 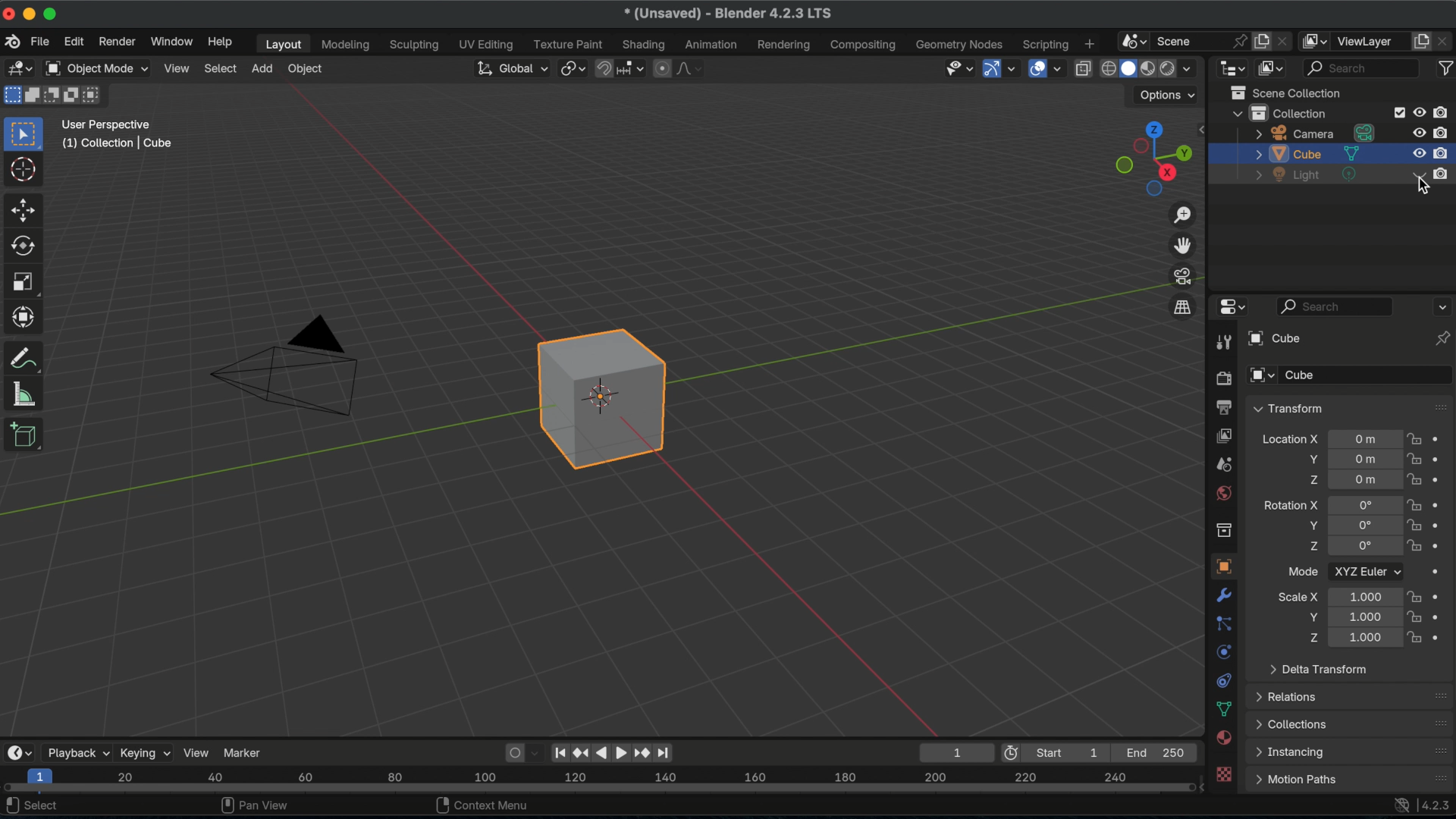 What do you see at coordinates (267, 473) in the screenshot?
I see `Y Axis` at bounding box center [267, 473].